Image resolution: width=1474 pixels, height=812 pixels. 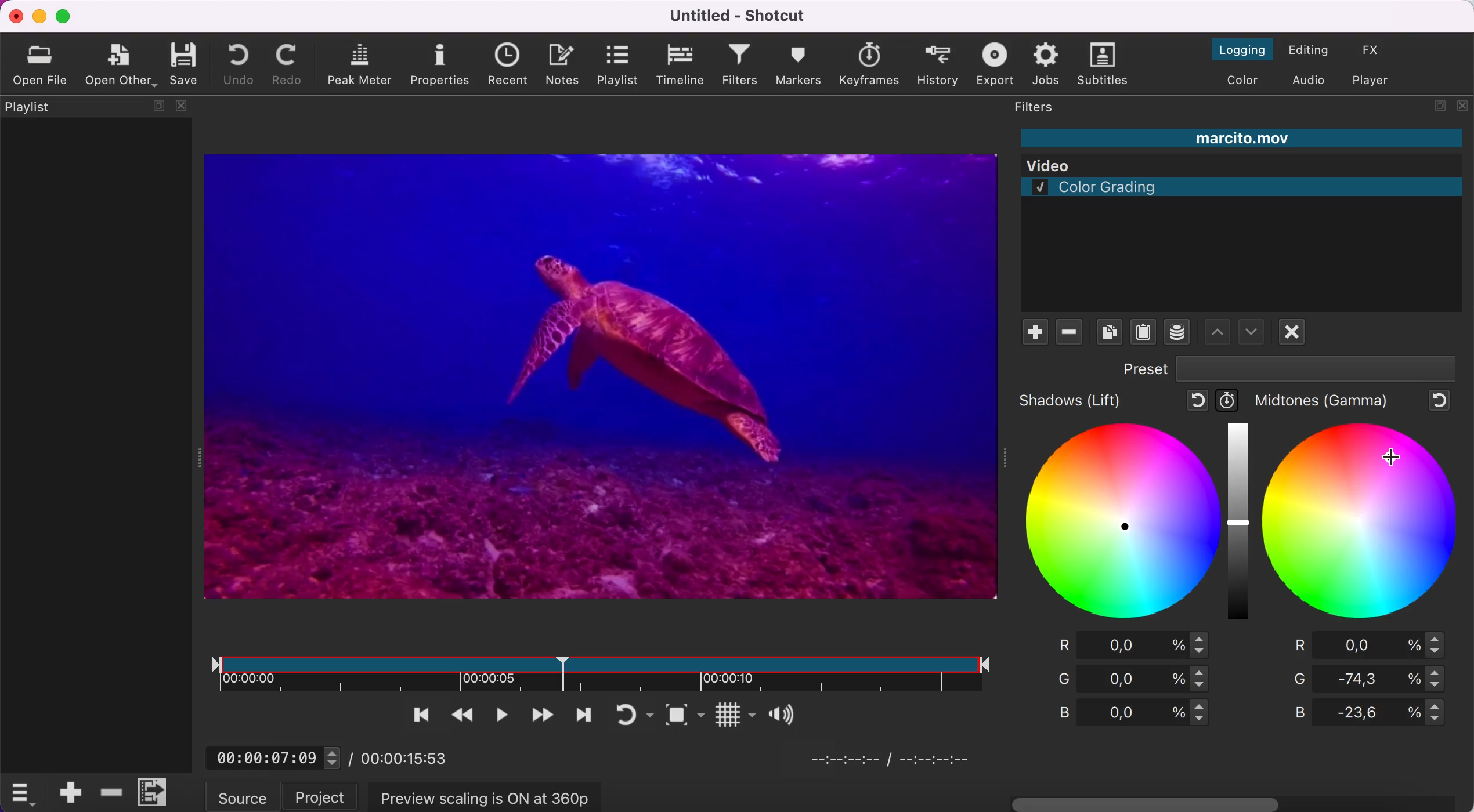 What do you see at coordinates (581, 715) in the screenshot?
I see `skip to next point` at bounding box center [581, 715].